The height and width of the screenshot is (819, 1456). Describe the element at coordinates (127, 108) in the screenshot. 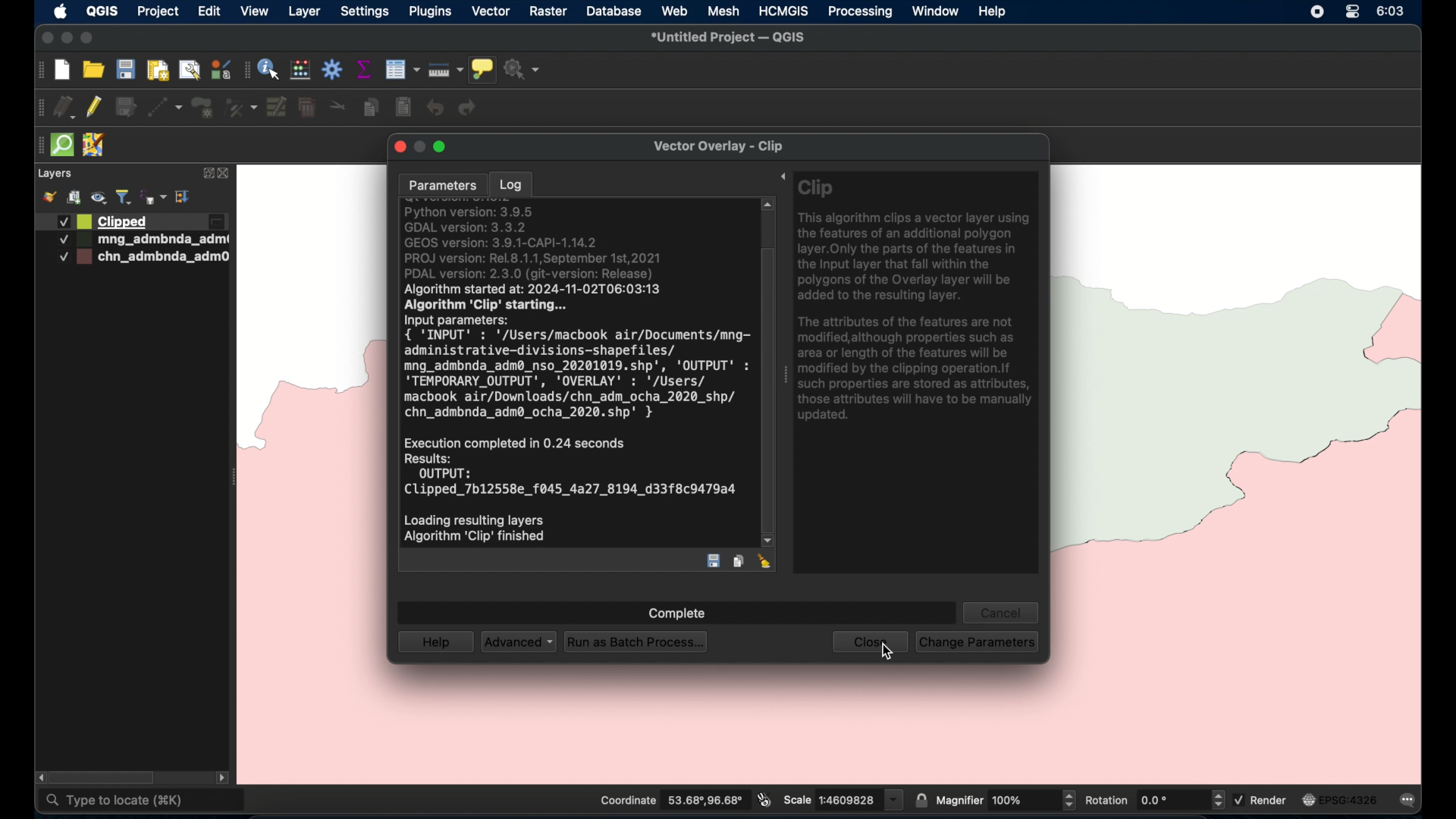

I see `save edits` at that location.